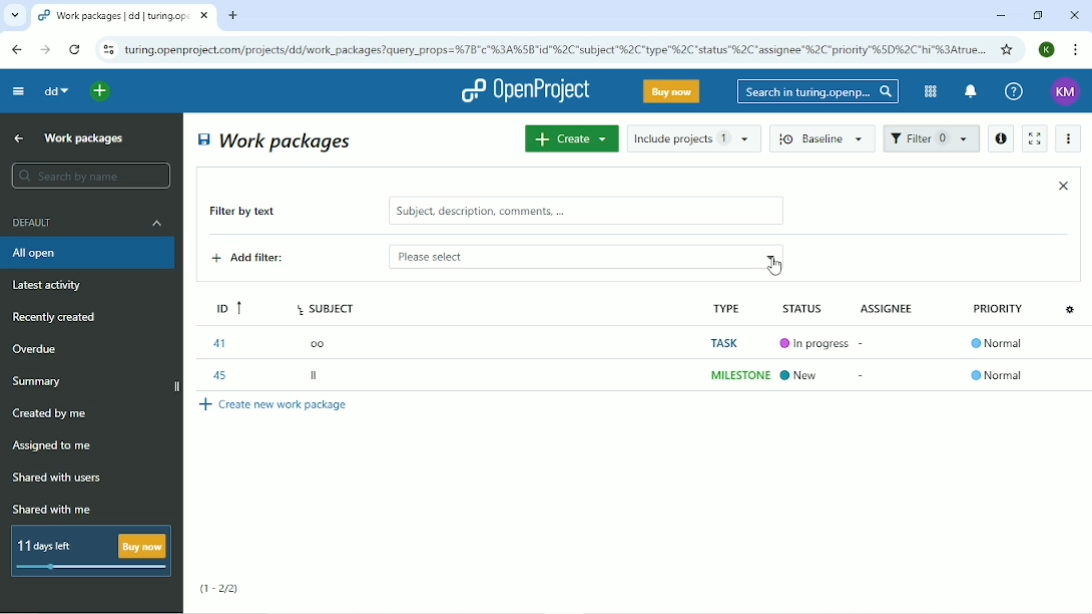 This screenshot has width=1092, height=614. I want to click on cursor, so click(774, 268).